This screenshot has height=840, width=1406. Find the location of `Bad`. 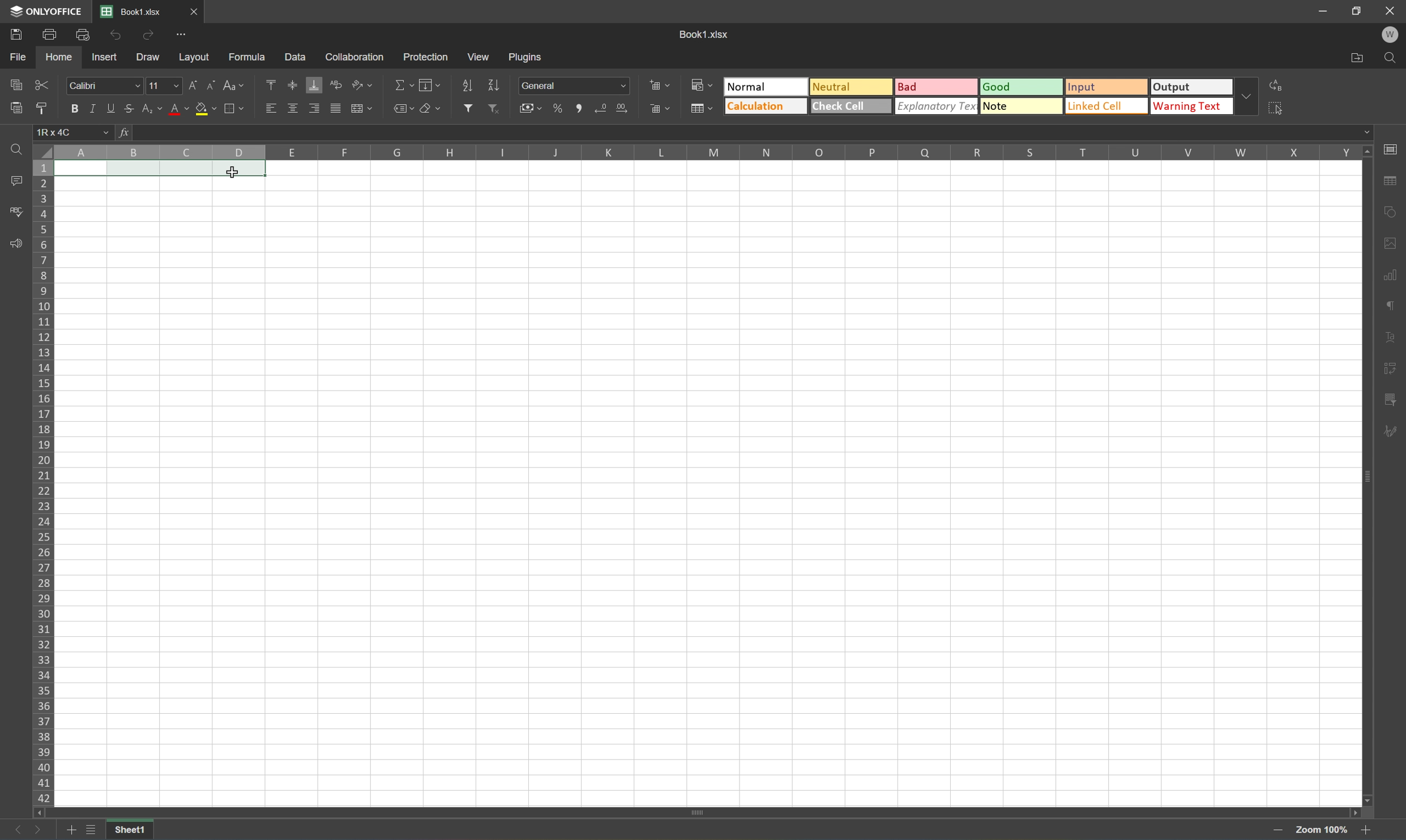

Bad is located at coordinates (937, 88).